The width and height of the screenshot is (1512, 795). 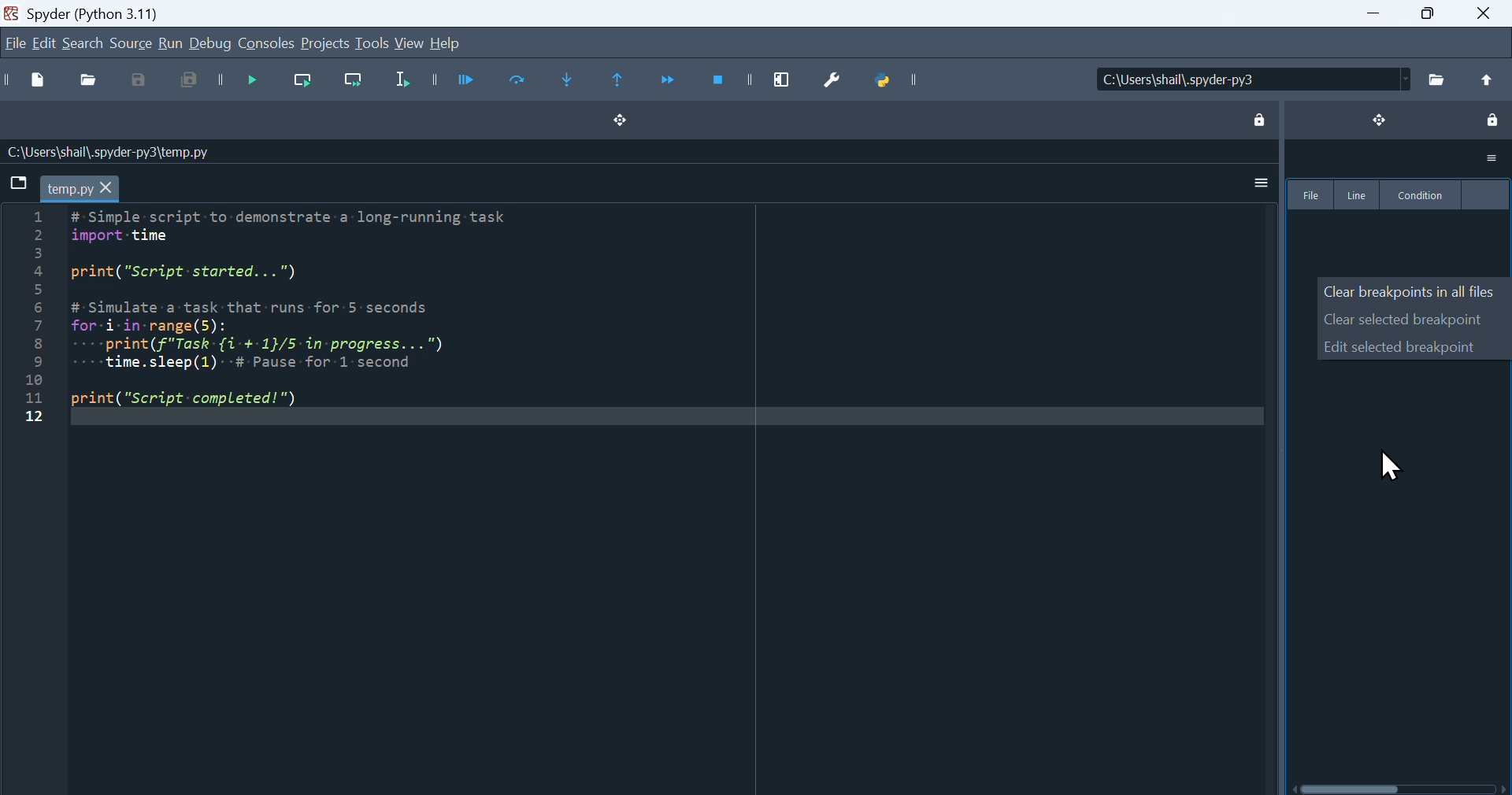 I want to click on Drag and Drop , so click(x=620, y=125).